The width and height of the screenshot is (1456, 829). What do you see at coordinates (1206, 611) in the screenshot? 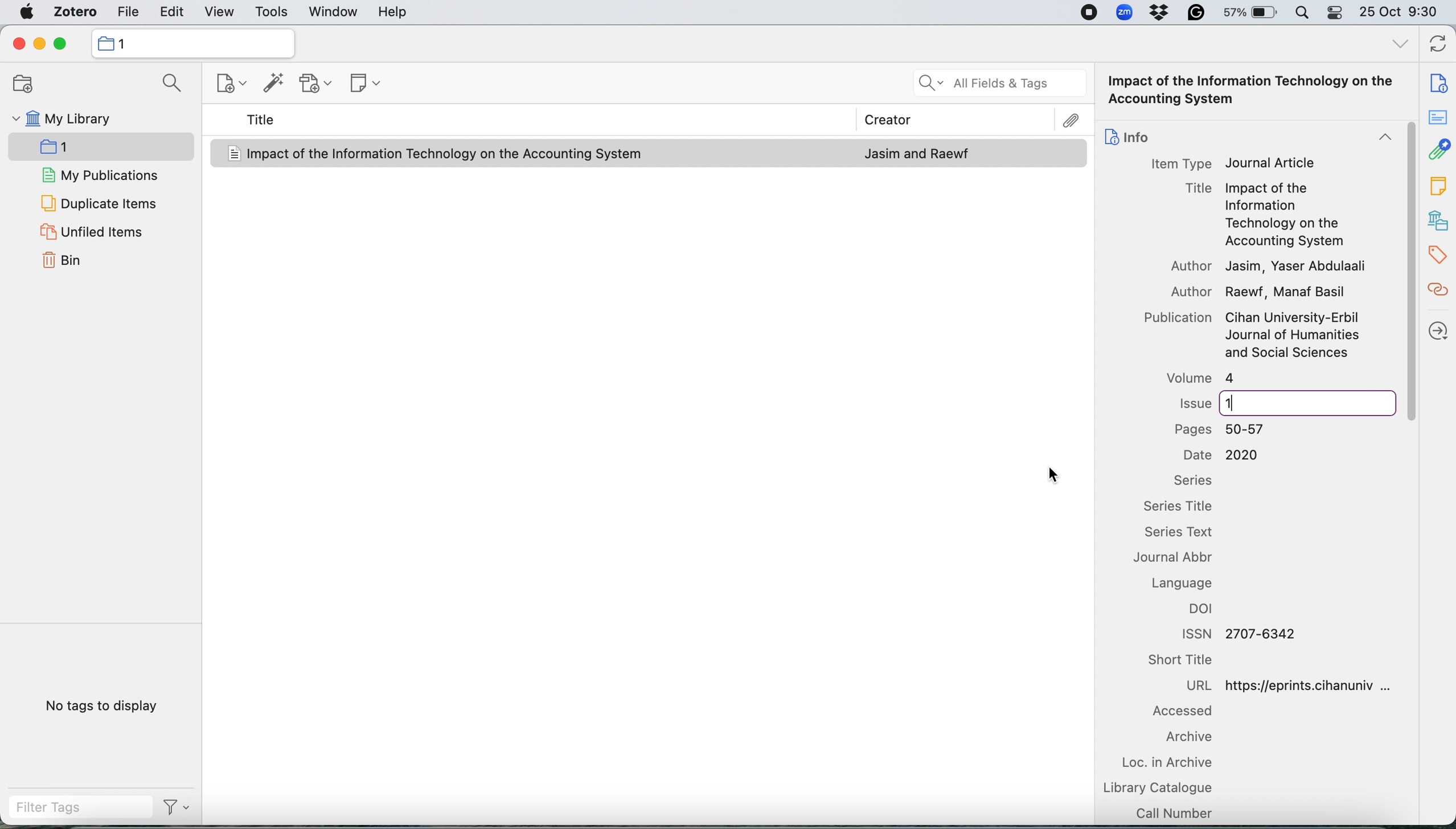
I see `doi` at bounding box center [1206, 611].